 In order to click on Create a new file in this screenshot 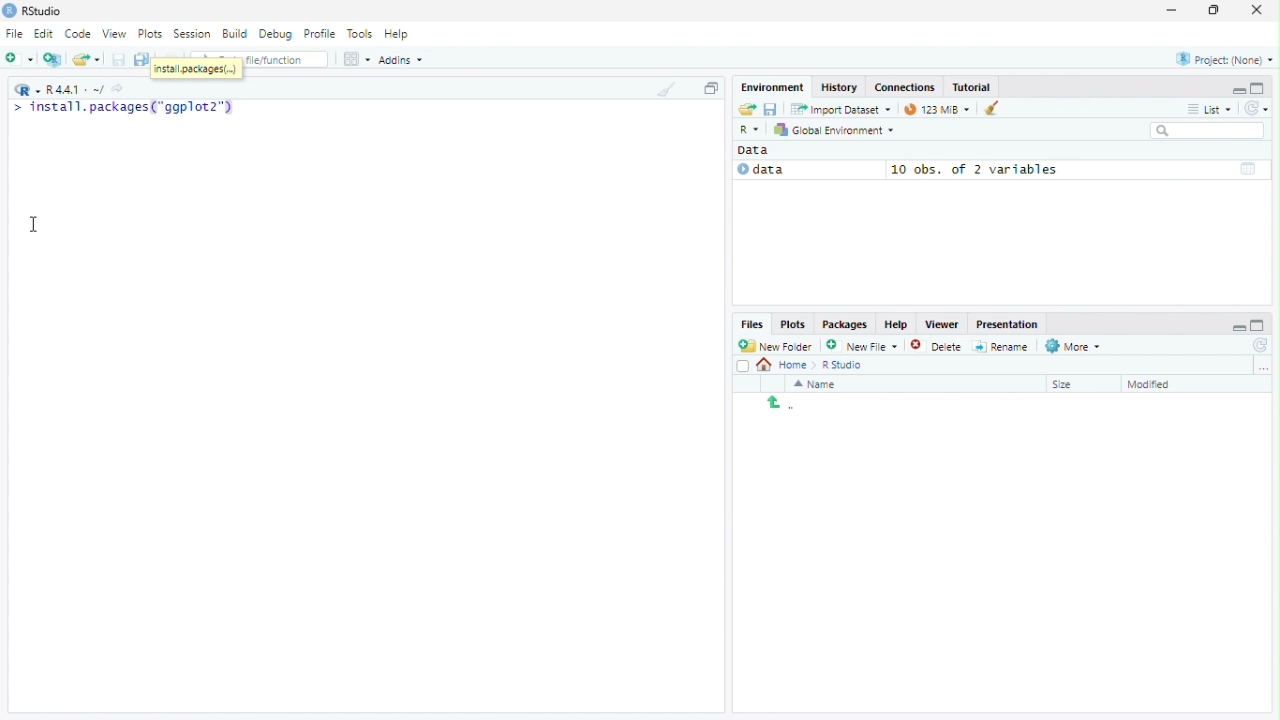, I will do `click(20, 59)`.